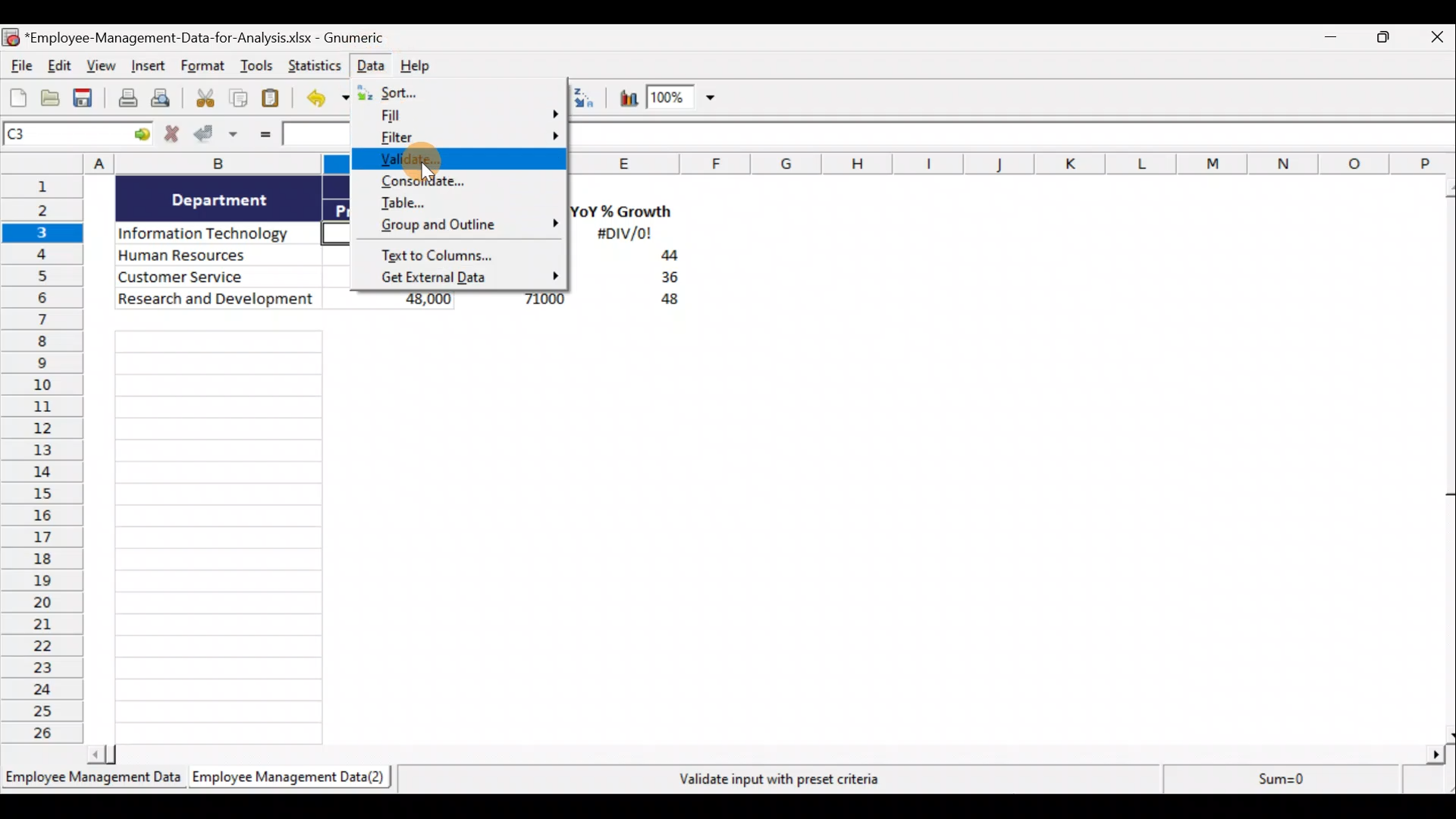  I want to click on Create new workbook, so click(18, 97).